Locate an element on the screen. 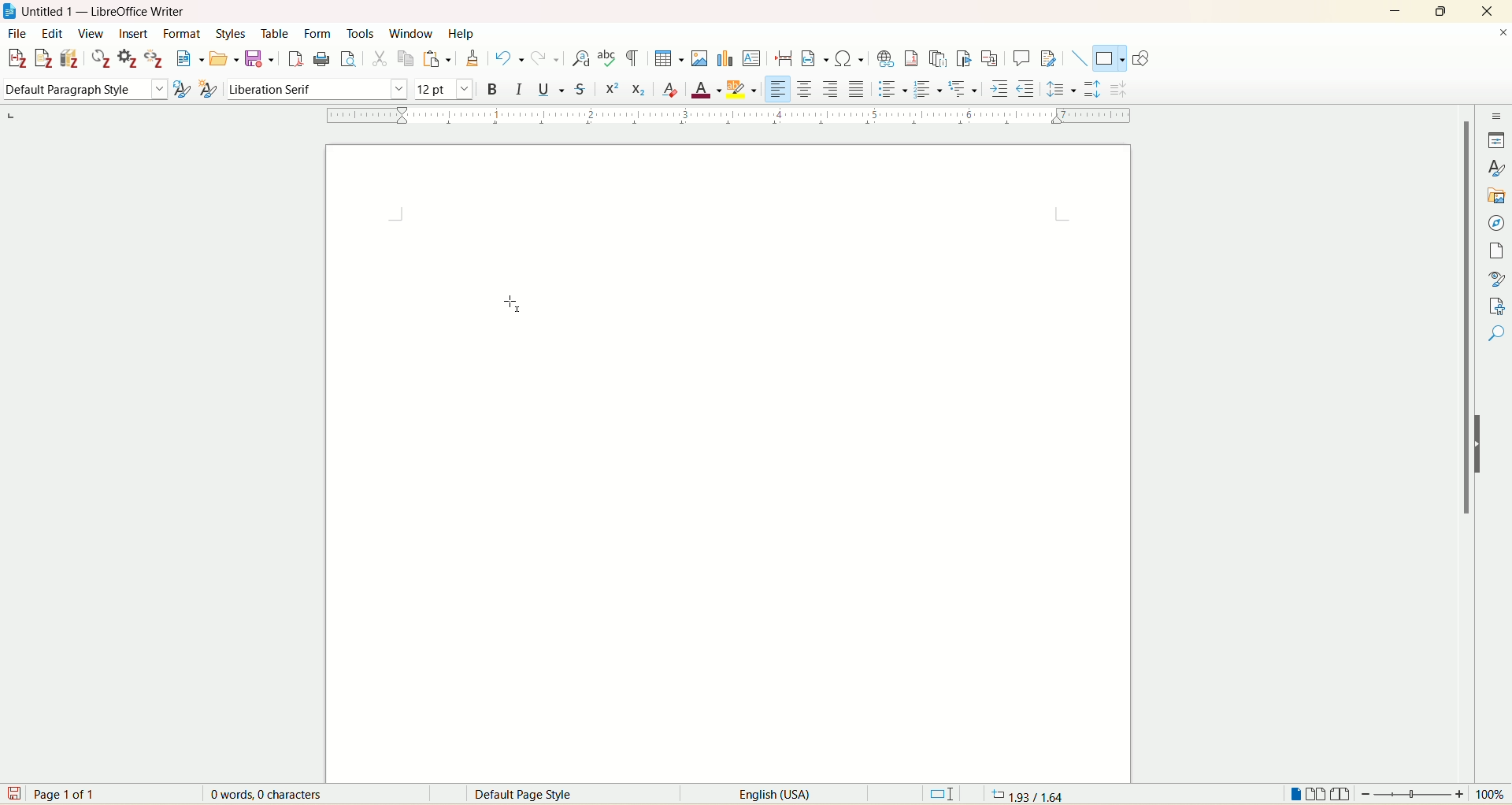 This screenshot has width=1512, height=805. application icon is located at coordinates (10, 10).